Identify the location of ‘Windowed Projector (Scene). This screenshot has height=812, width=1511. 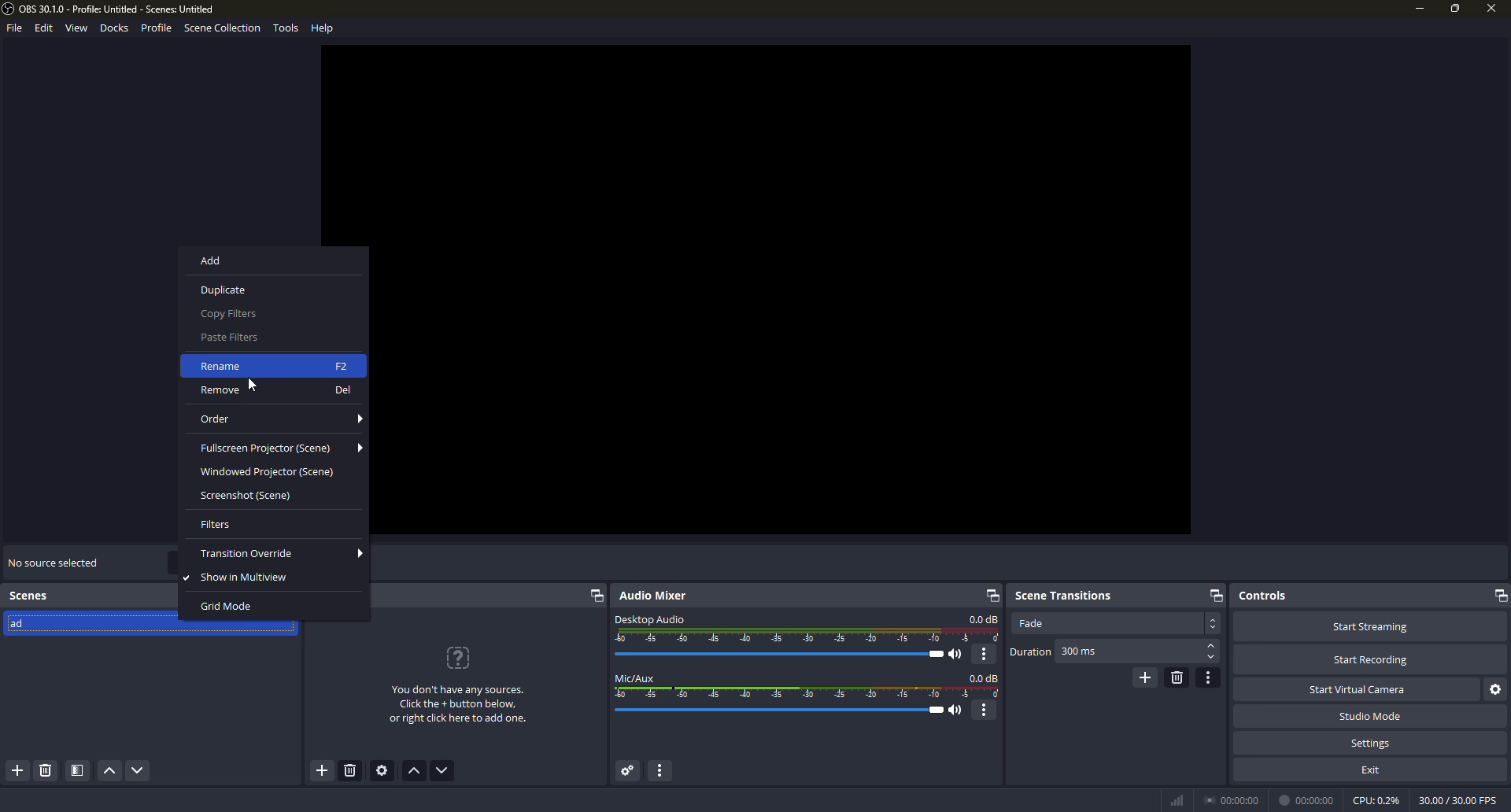
(272, 474).